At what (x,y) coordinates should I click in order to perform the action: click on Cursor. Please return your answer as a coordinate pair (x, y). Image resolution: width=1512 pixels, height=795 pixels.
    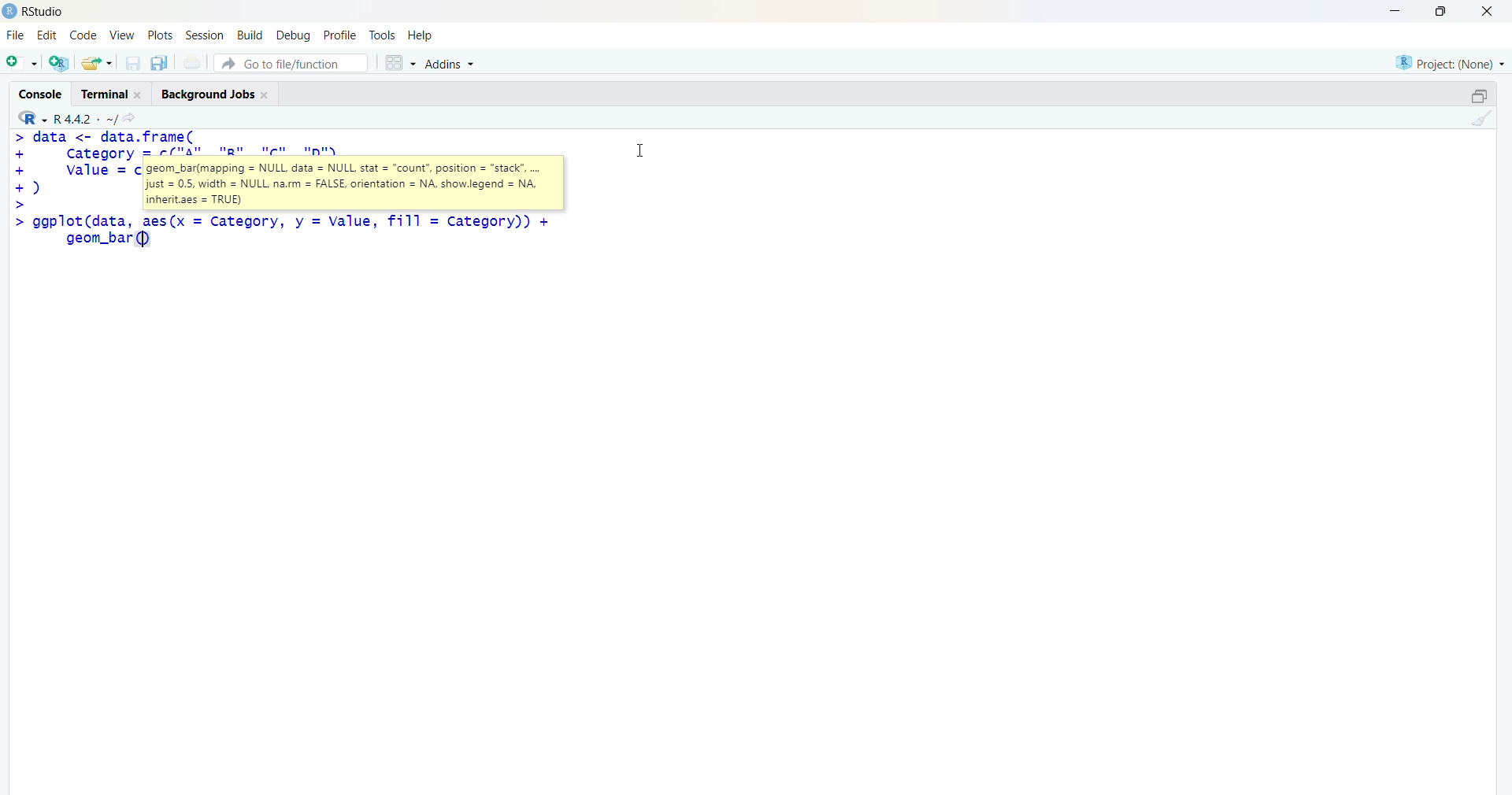
    Looking at the image, I should click on (641, 148).